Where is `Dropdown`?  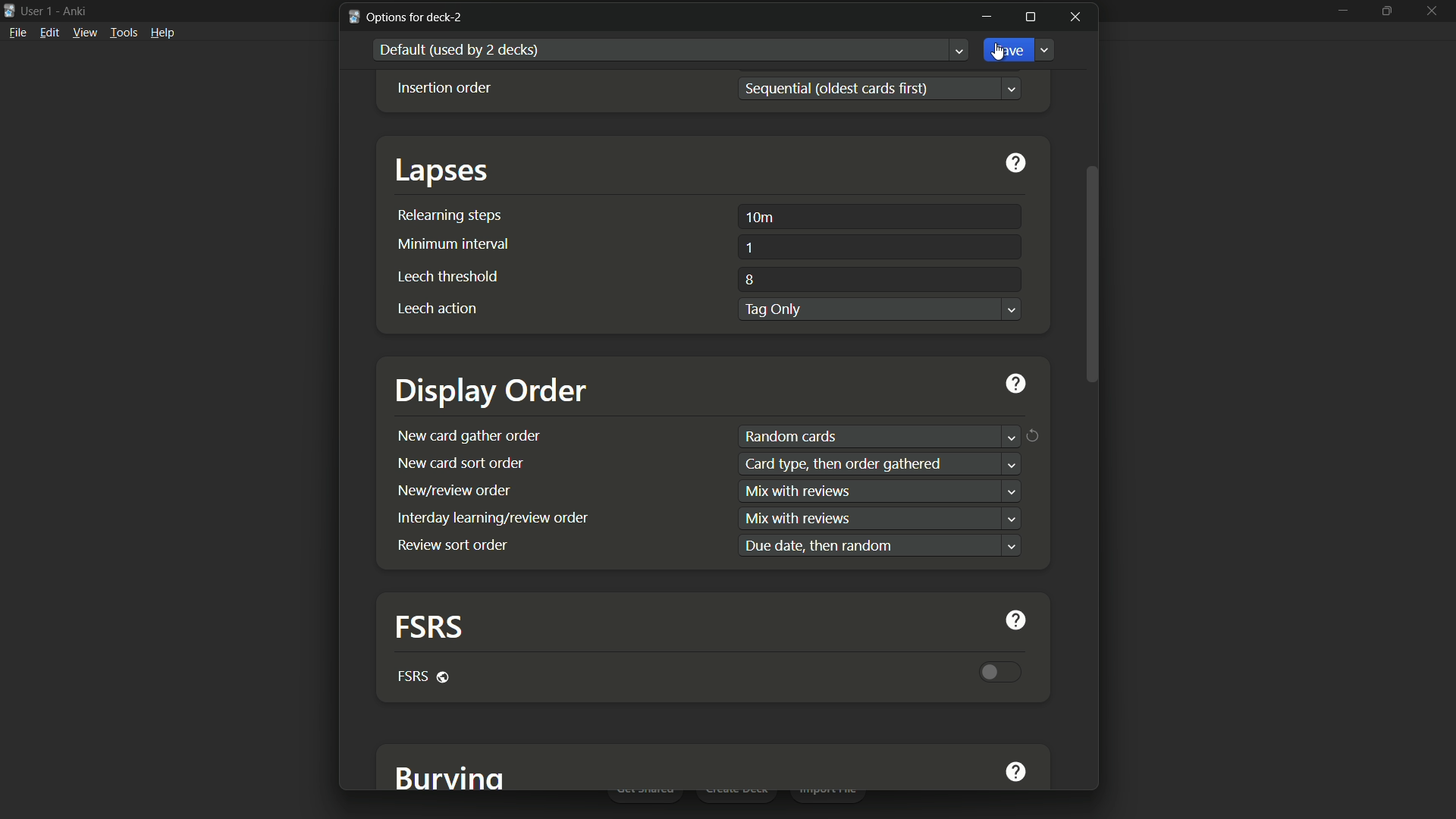 Dropdown is located at coordinates (1046, 50).